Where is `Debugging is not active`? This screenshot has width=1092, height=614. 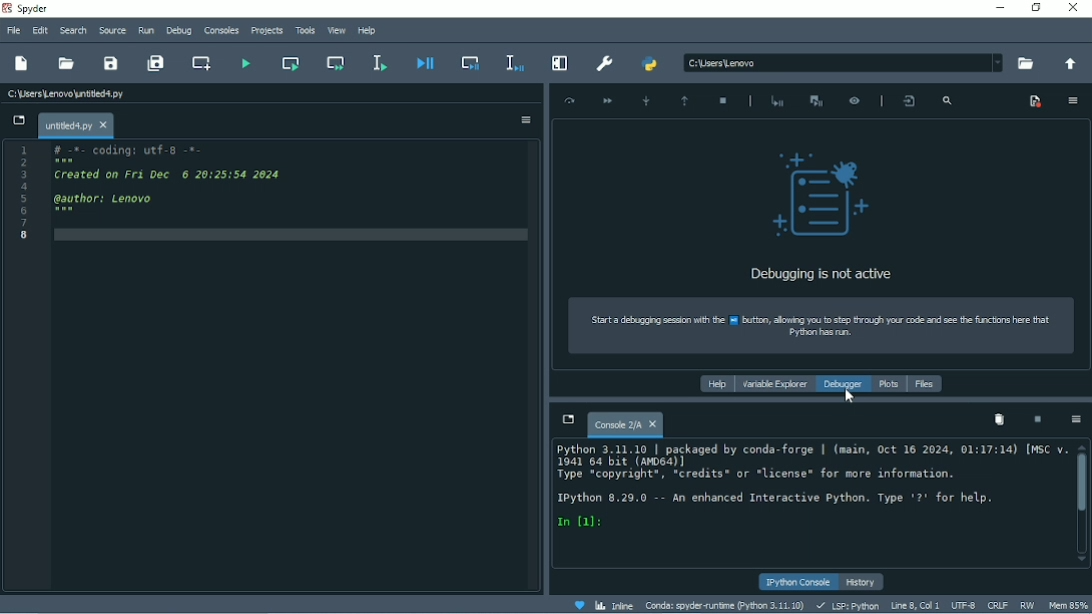
Debugging is not active is located at coordinates (825, 273).